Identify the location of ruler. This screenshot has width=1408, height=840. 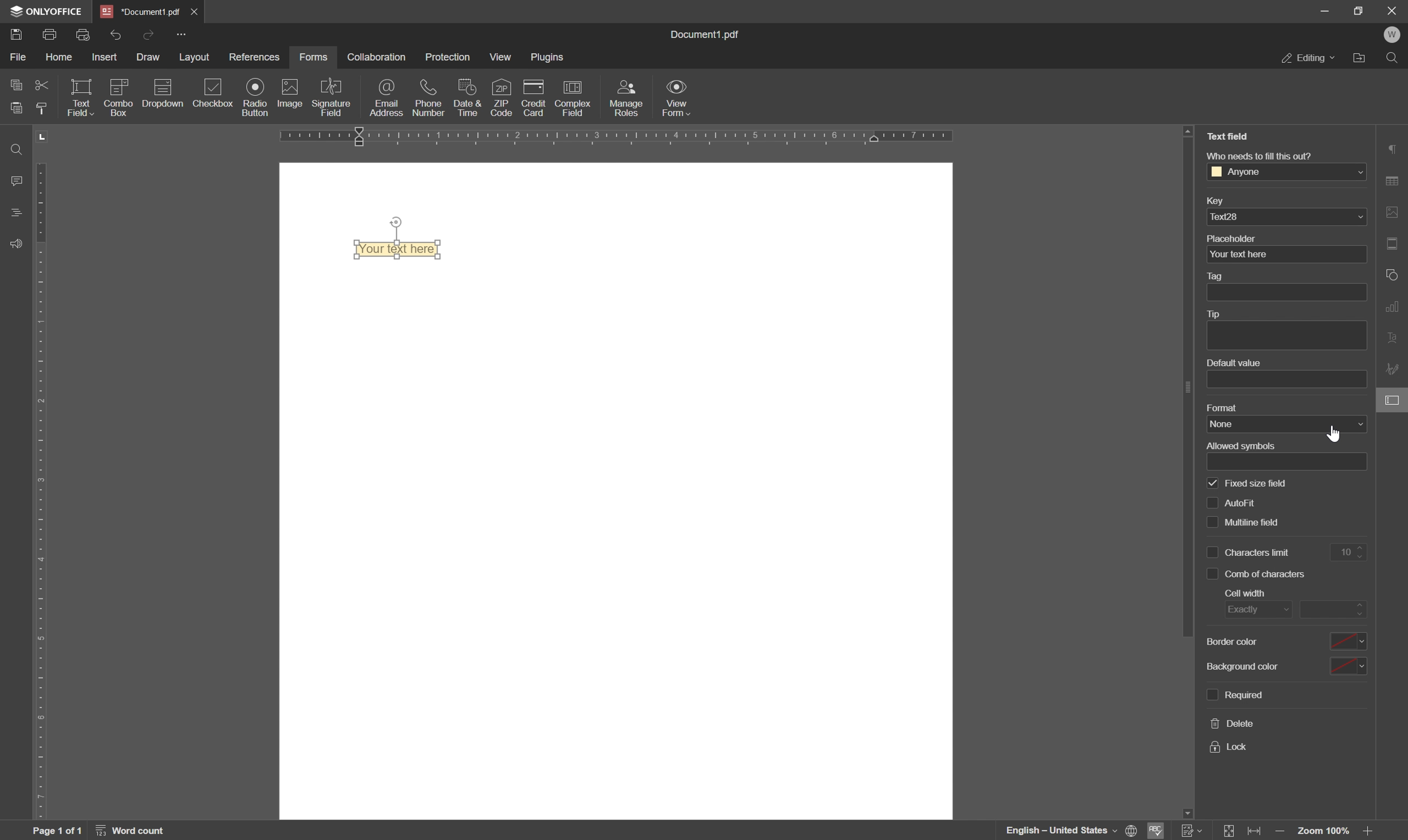
(41, 490).